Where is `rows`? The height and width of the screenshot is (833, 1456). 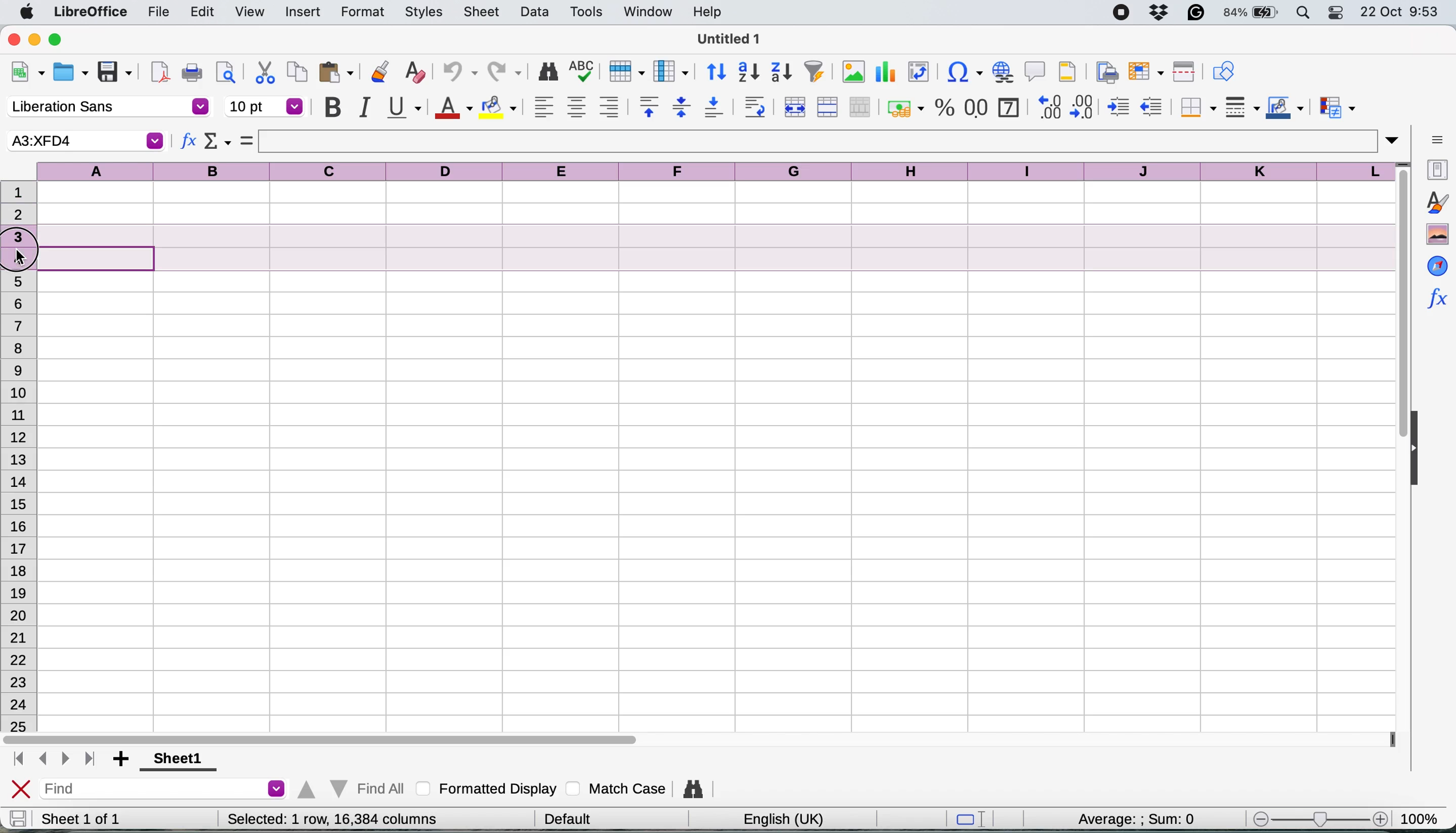
rows is located at coordinates (19, 505).